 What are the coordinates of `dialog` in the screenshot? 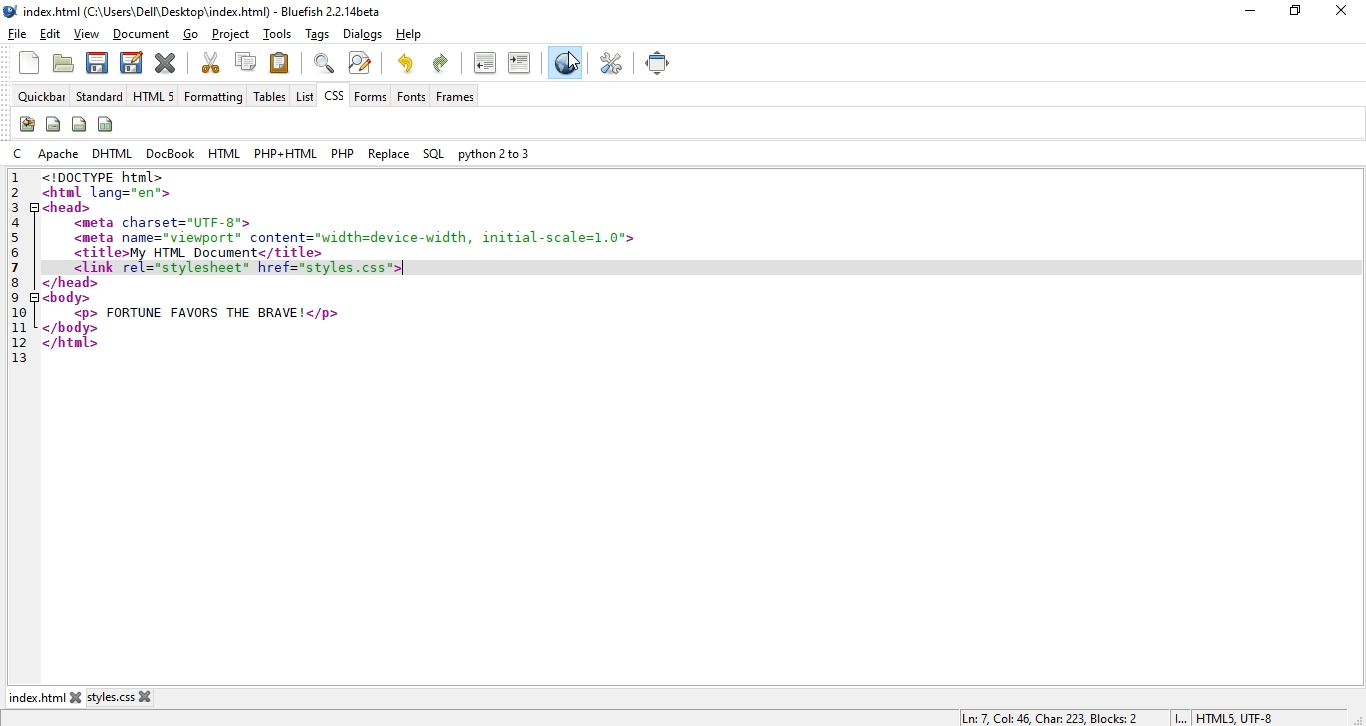 It's located at (362, 34).